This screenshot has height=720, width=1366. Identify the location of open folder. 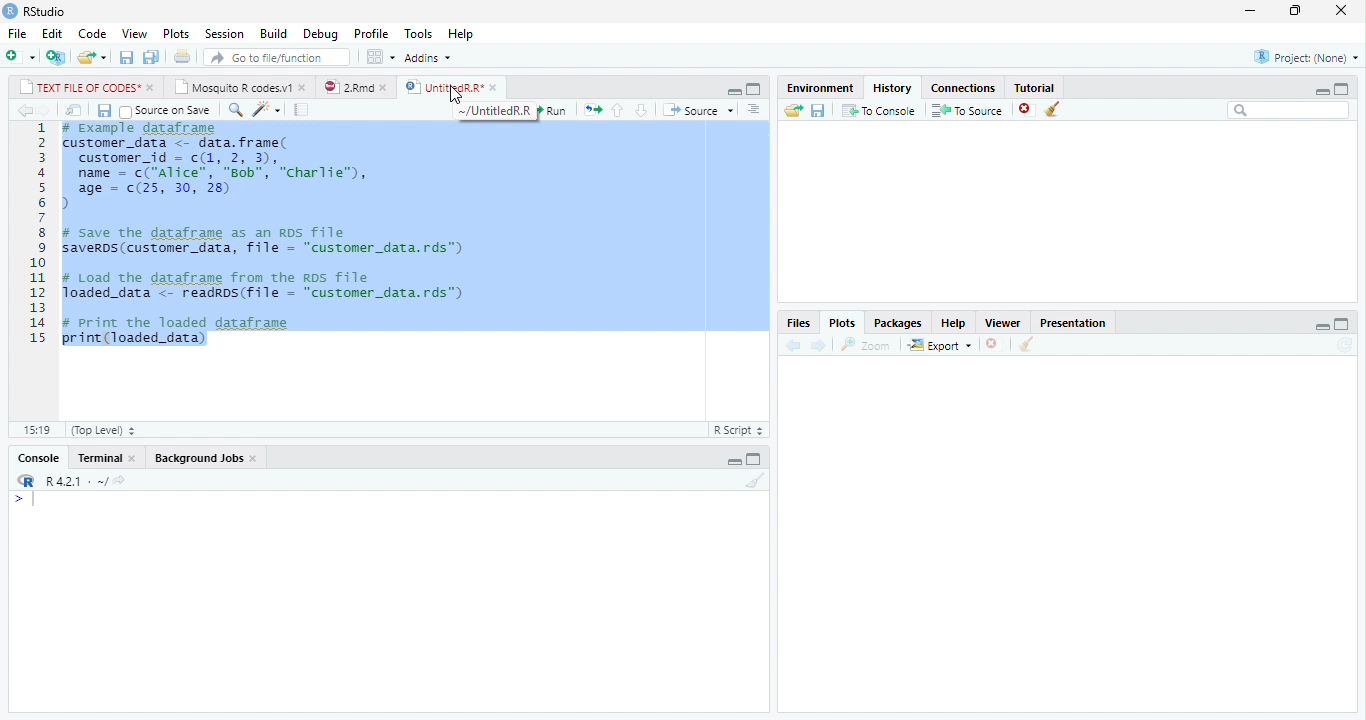
(794, 110).